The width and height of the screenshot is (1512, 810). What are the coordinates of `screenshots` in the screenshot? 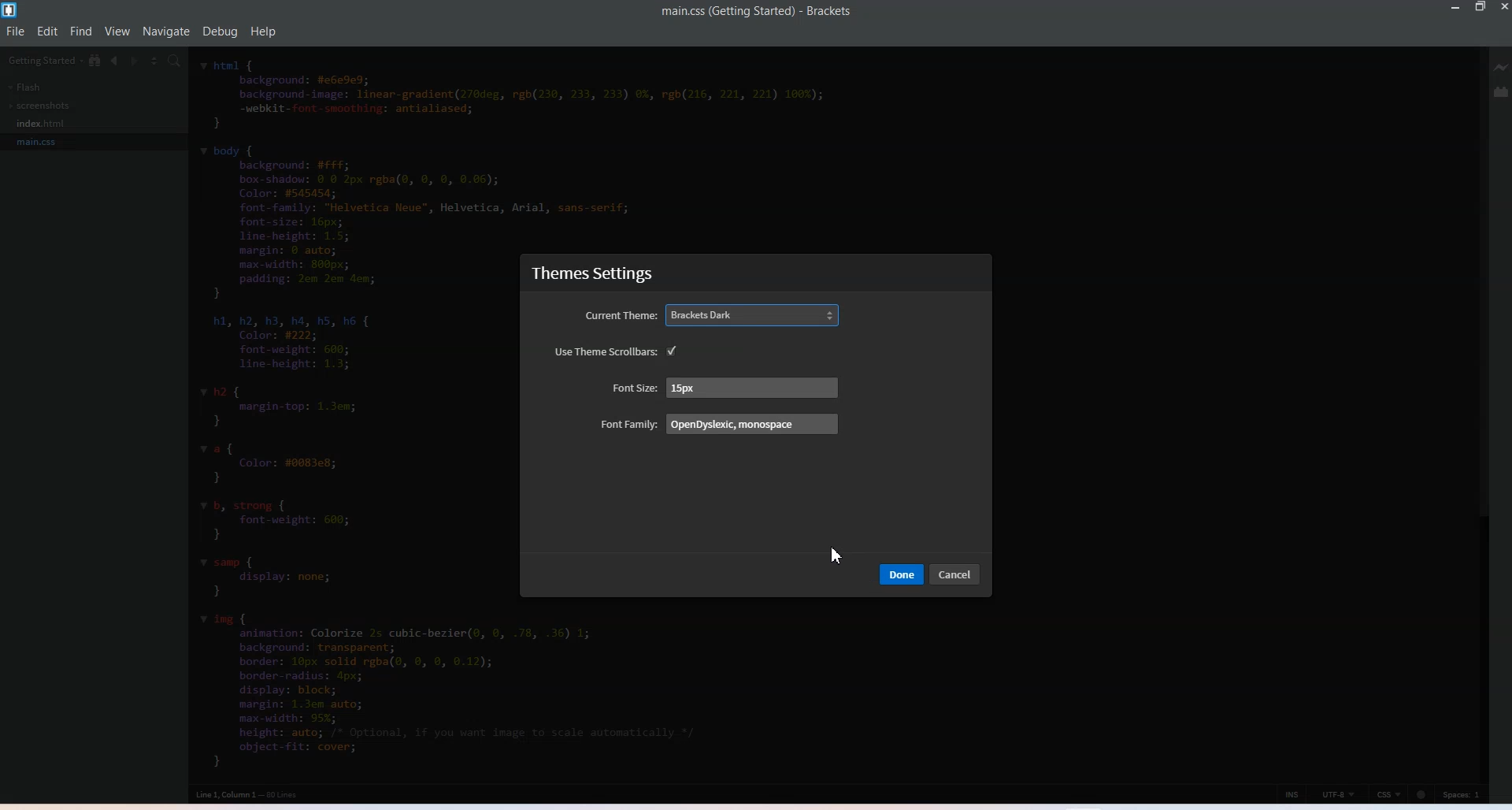 It's located at (42, 106).